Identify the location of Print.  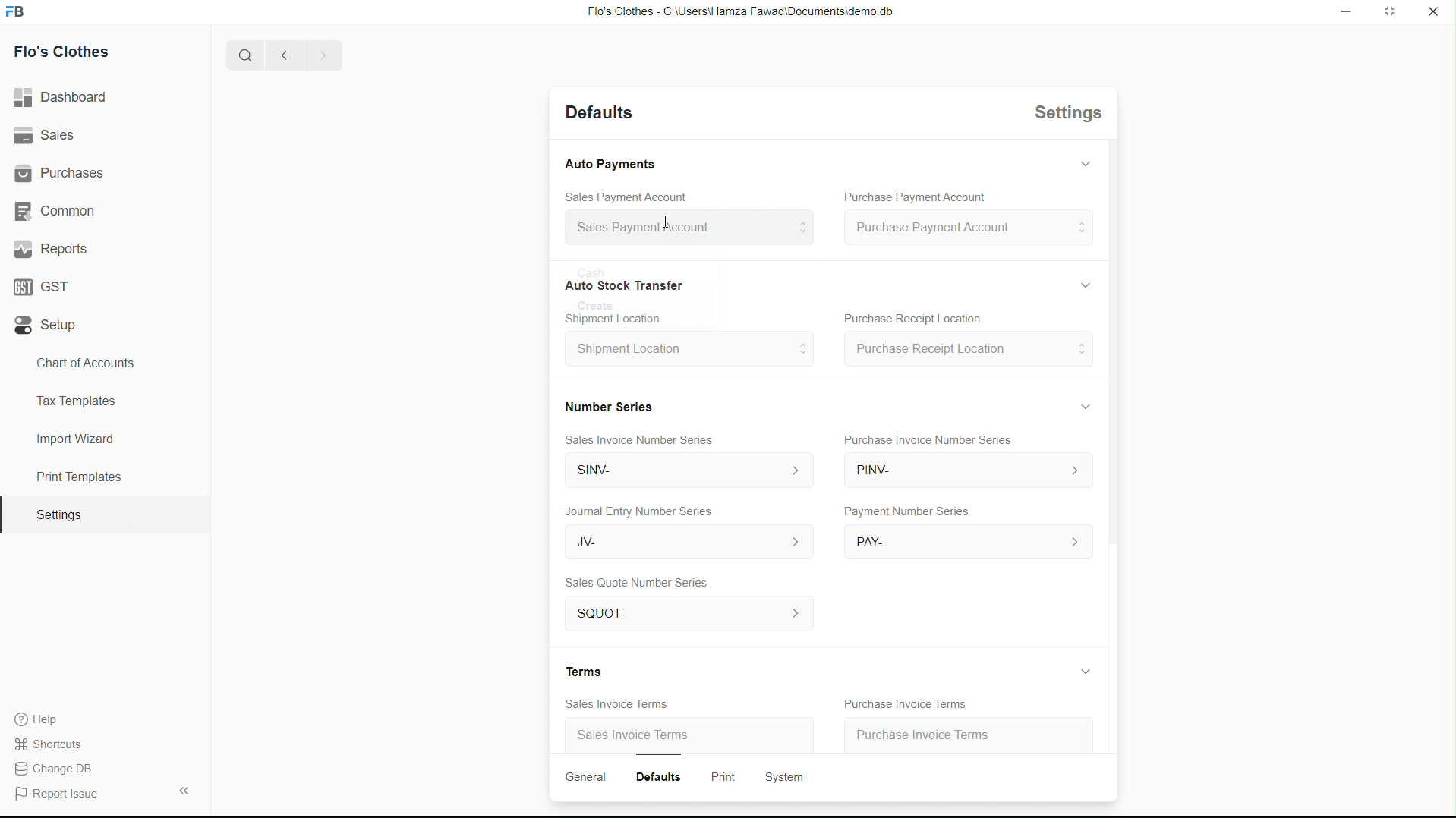
(718, 775).